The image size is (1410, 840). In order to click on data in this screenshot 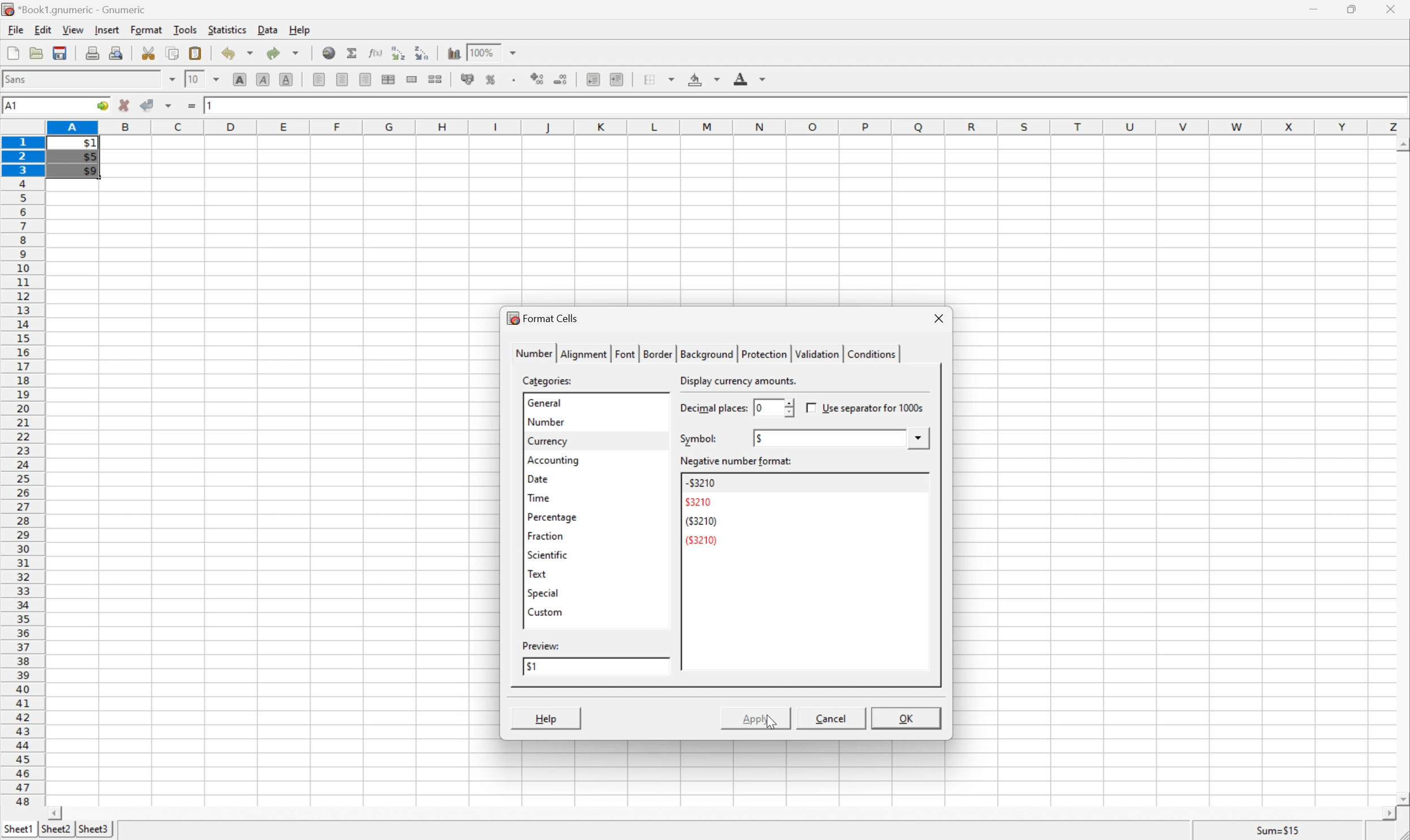, I will do `click(269, 27)`.